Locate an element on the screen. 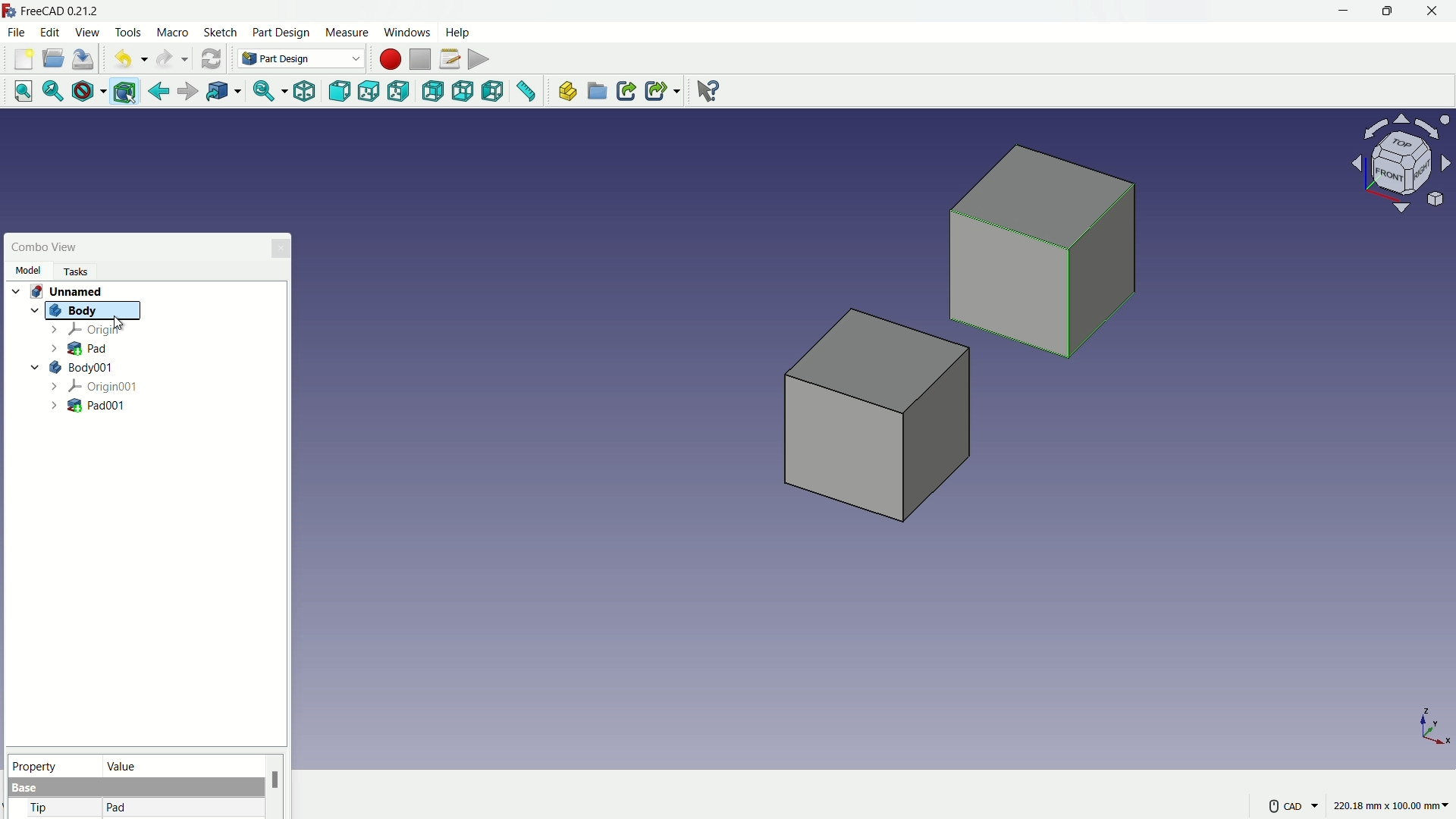 The height and width of the screenshot is (819, 1456). back view is located at coordinates (435, 93).